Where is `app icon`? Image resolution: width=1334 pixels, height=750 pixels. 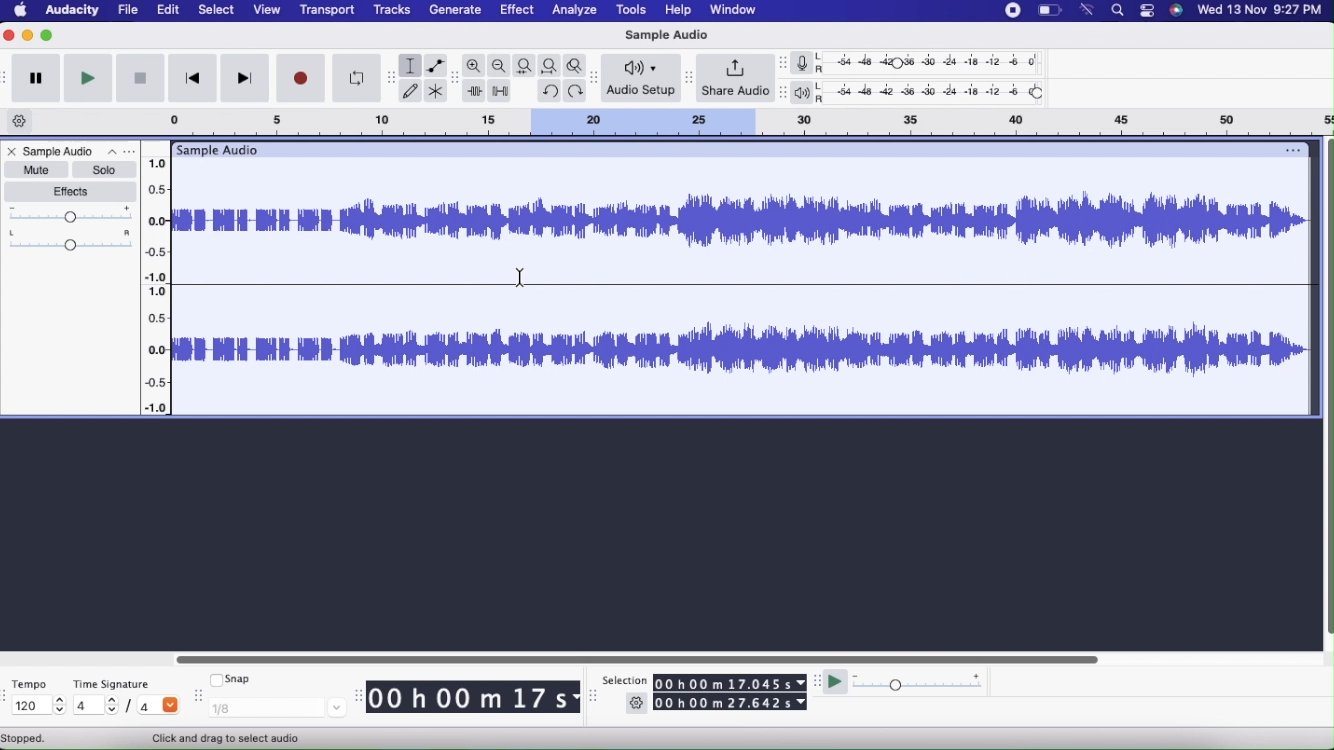 app icon is located at coordinates (1176, 10).